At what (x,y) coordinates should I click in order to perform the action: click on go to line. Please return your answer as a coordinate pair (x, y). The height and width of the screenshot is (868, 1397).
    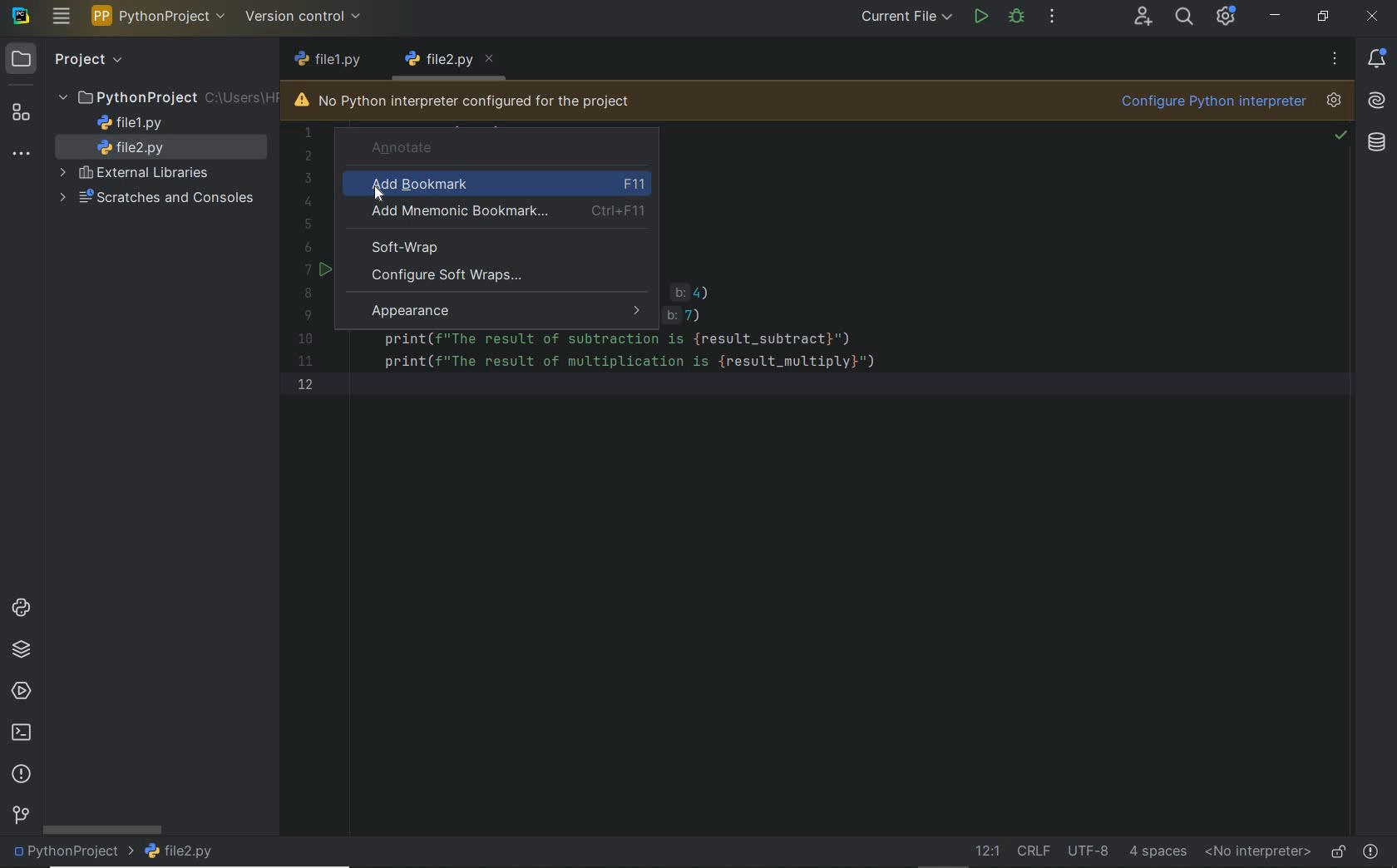
    Looking at the image, I should click on (986, 851).